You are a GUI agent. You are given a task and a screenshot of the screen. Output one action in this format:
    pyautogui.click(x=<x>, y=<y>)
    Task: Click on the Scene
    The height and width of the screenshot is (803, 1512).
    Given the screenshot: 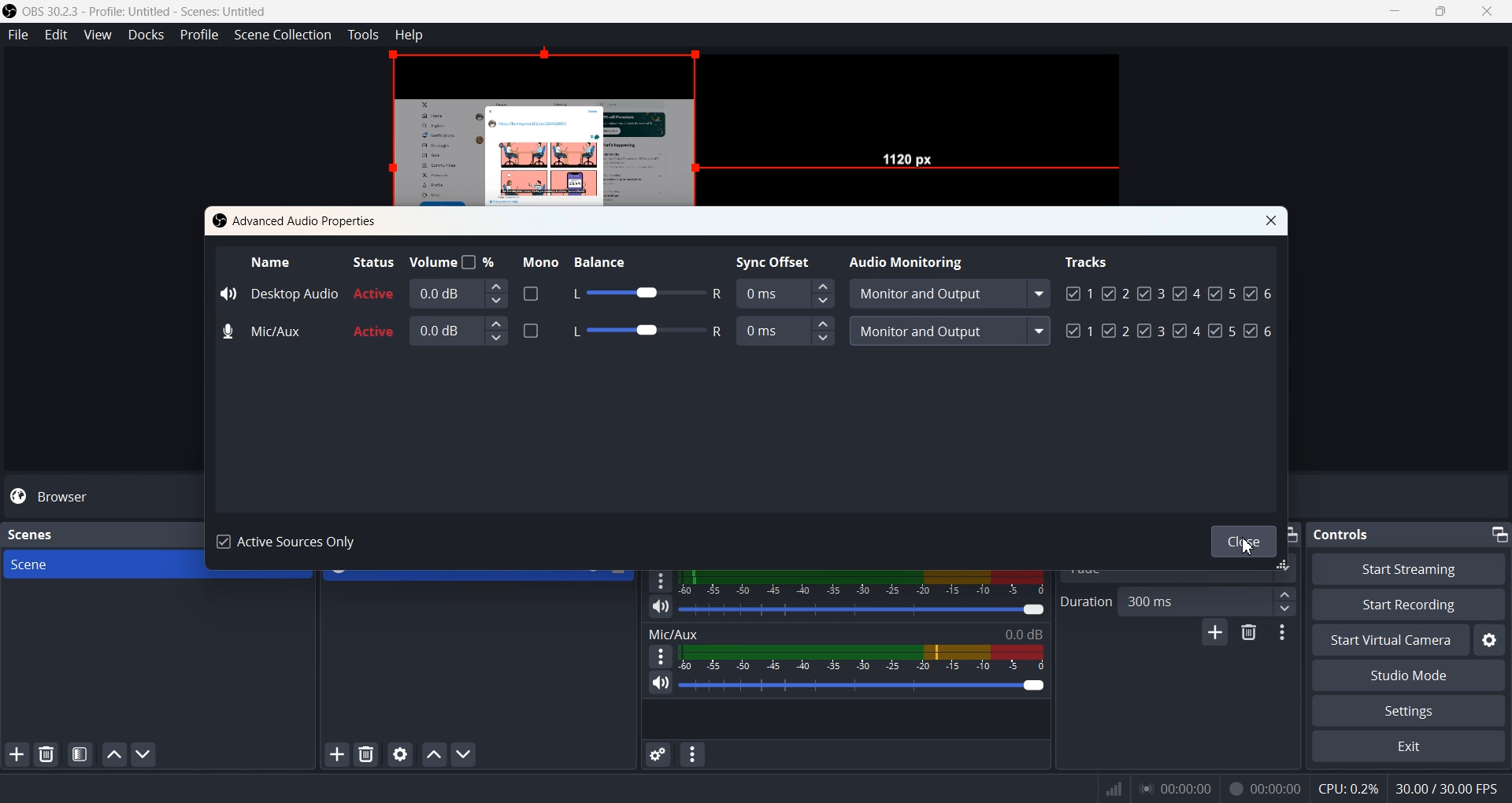 What is the action you would take?
    pyautogui.click(x=98, y=564)
    